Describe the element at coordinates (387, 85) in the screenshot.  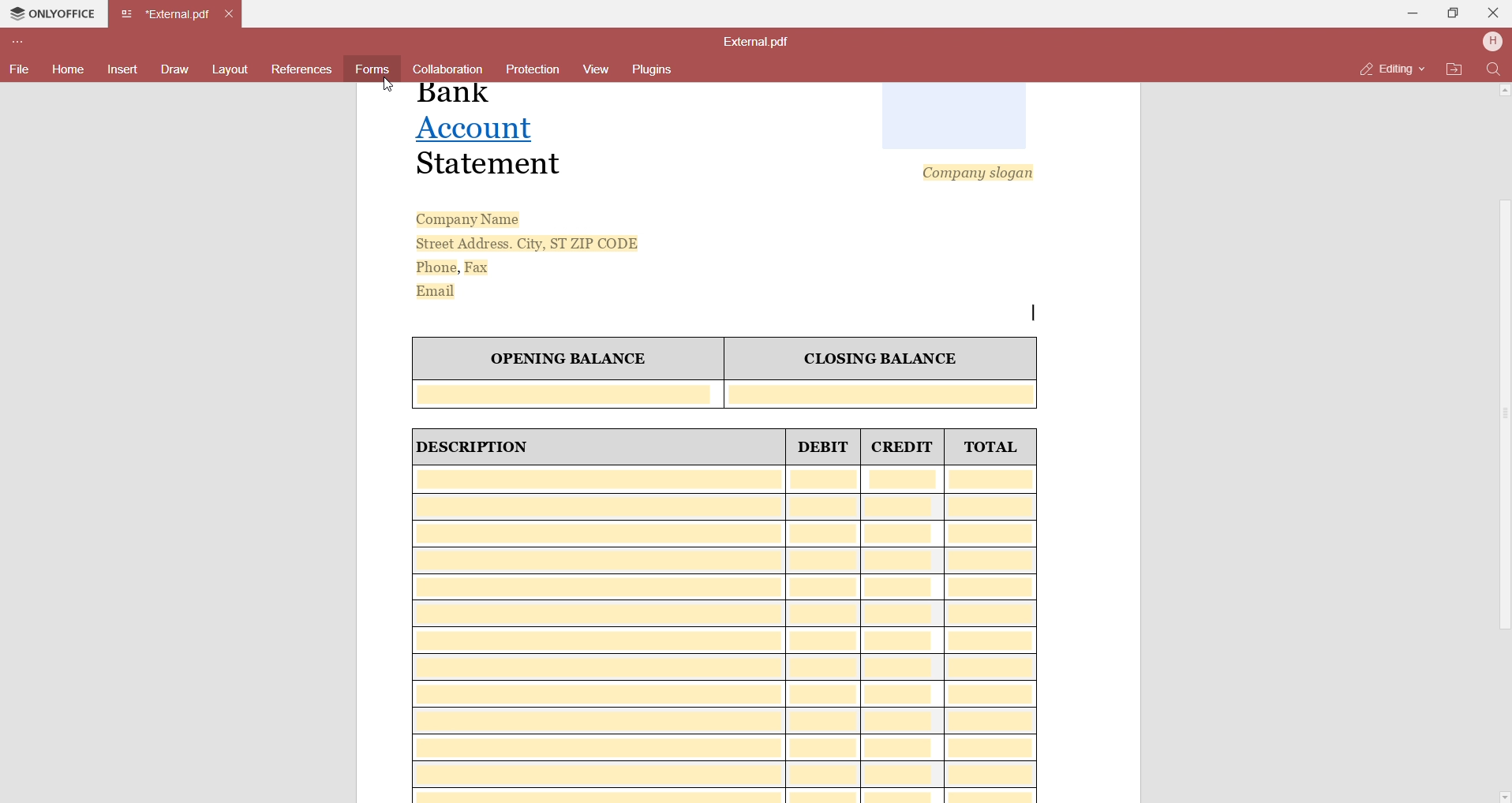
I see `cursor` at that location.